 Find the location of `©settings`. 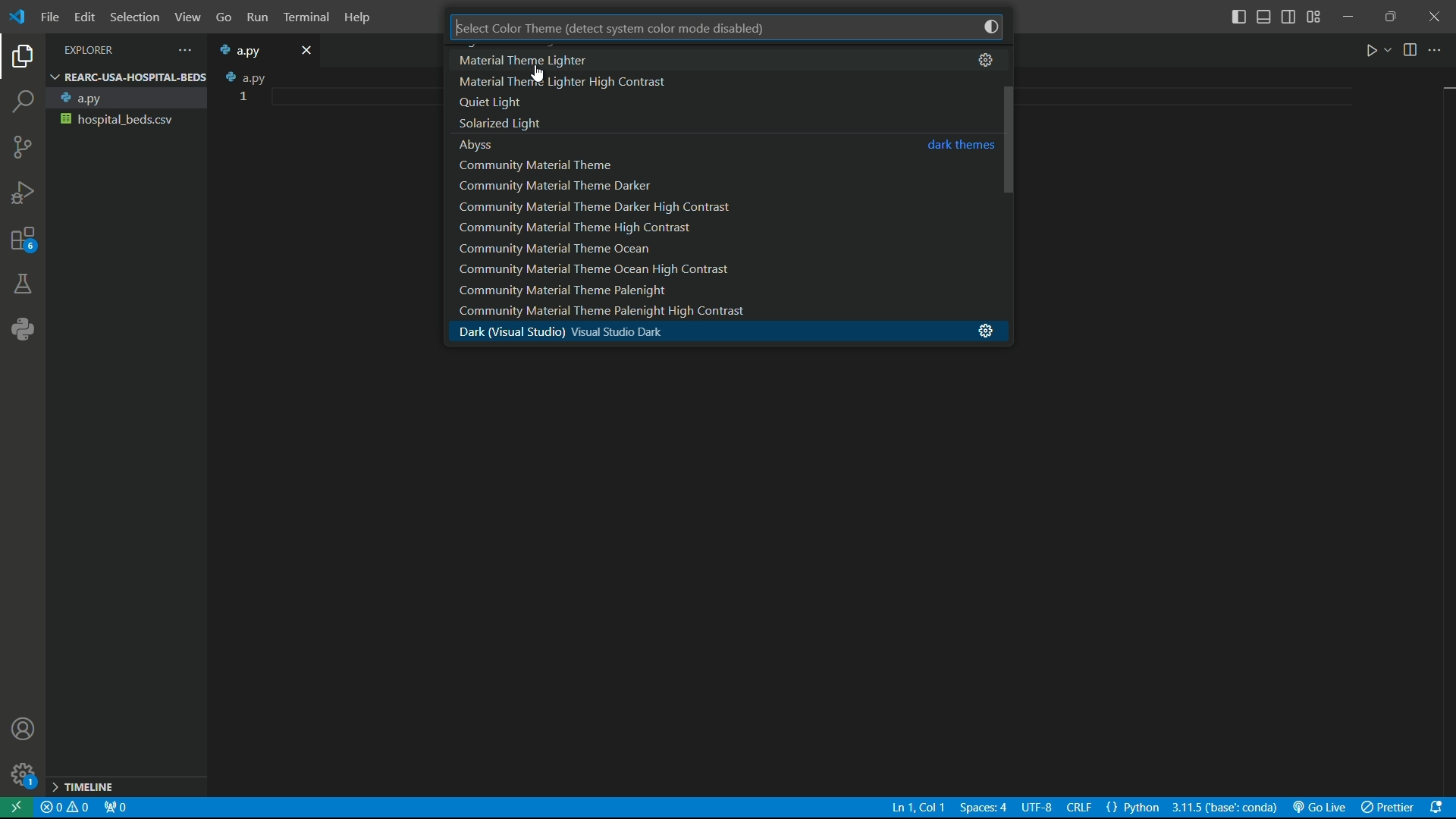

©settings is located at coordinates (981, 331).